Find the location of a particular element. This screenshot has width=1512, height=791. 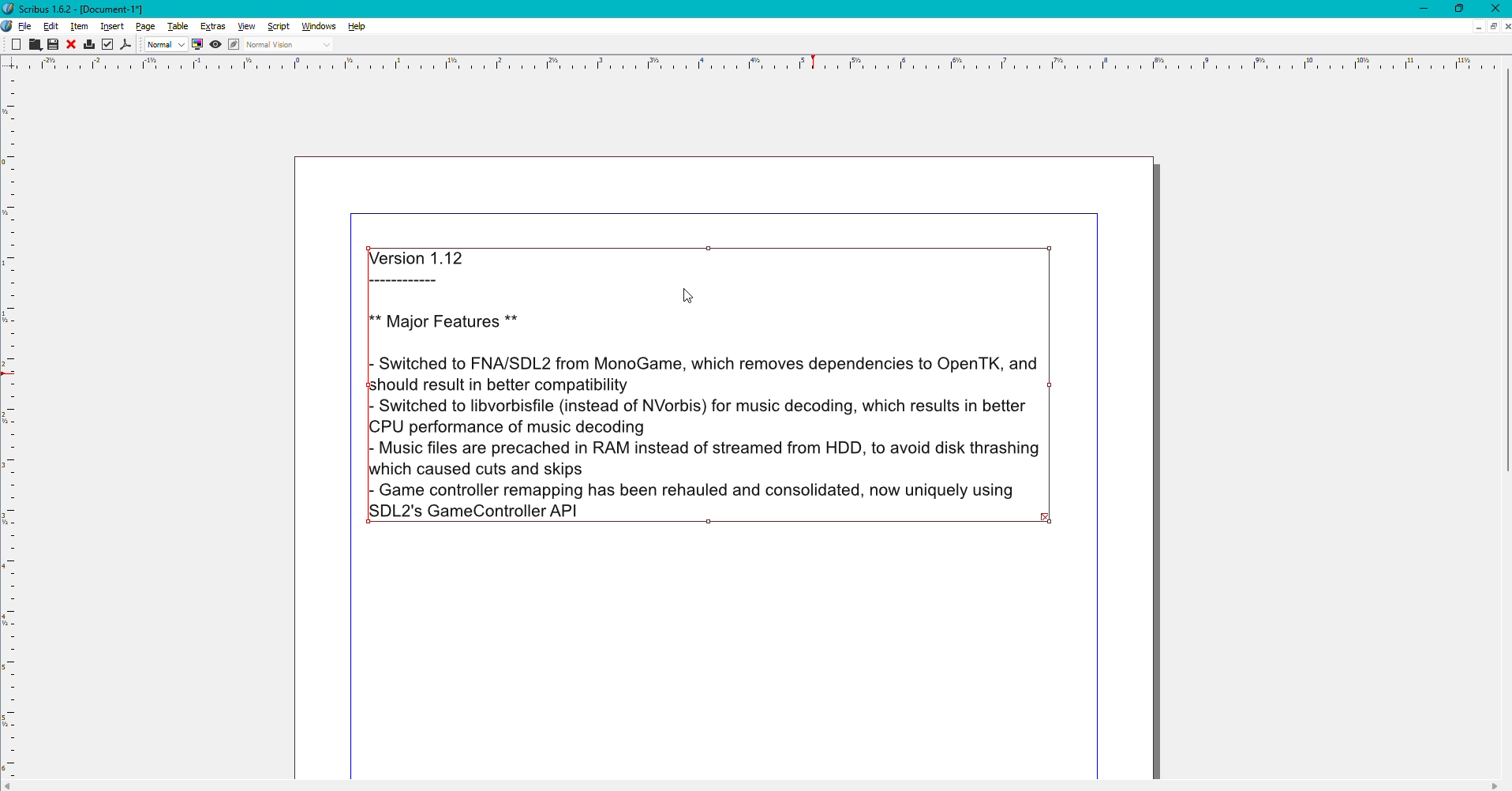

Windows is located at coordinates (317, 27).